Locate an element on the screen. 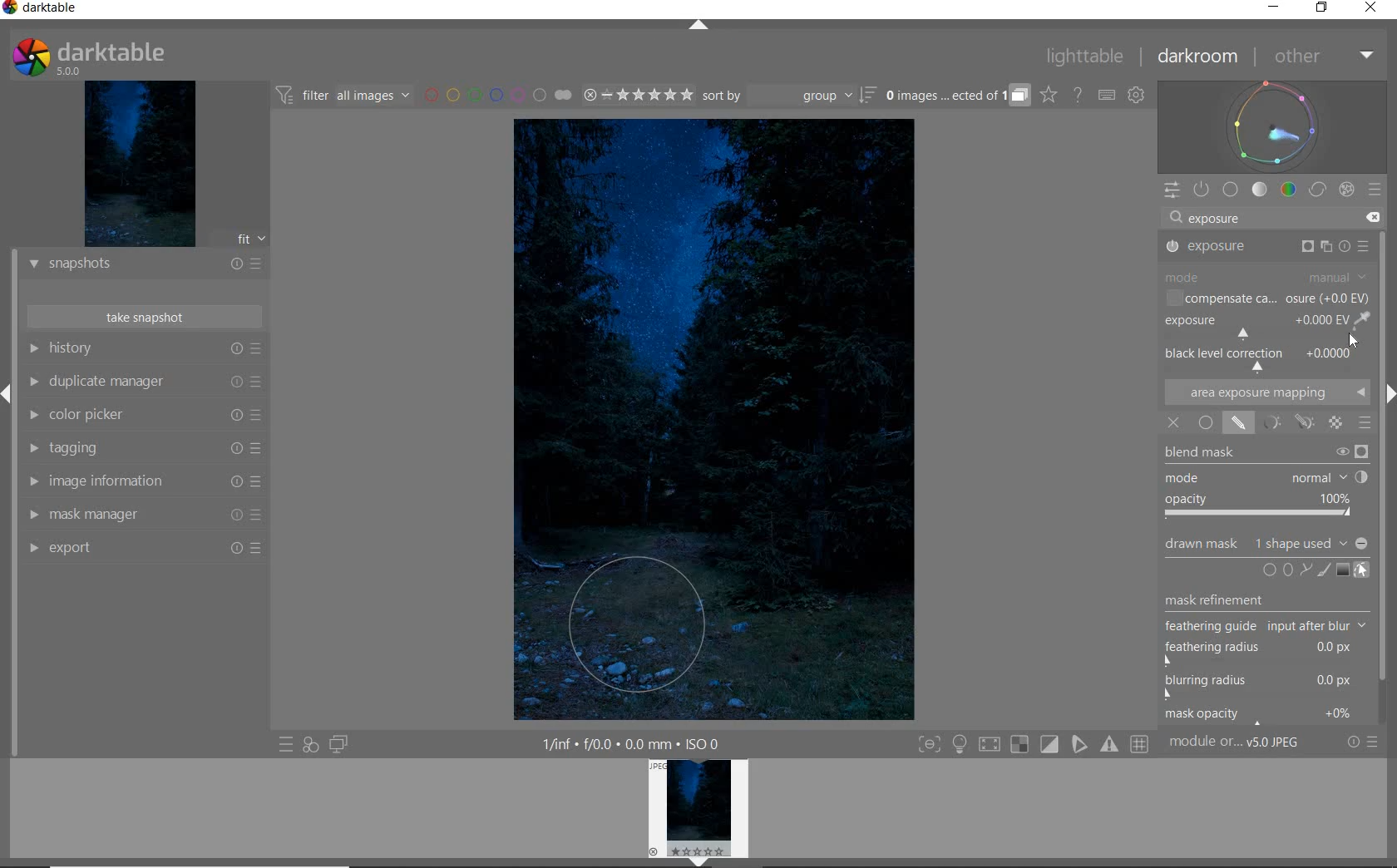 Image resolution: width=1397 pixels, height=868 pixels. CURSOR is located at coordinates (1355, 343).